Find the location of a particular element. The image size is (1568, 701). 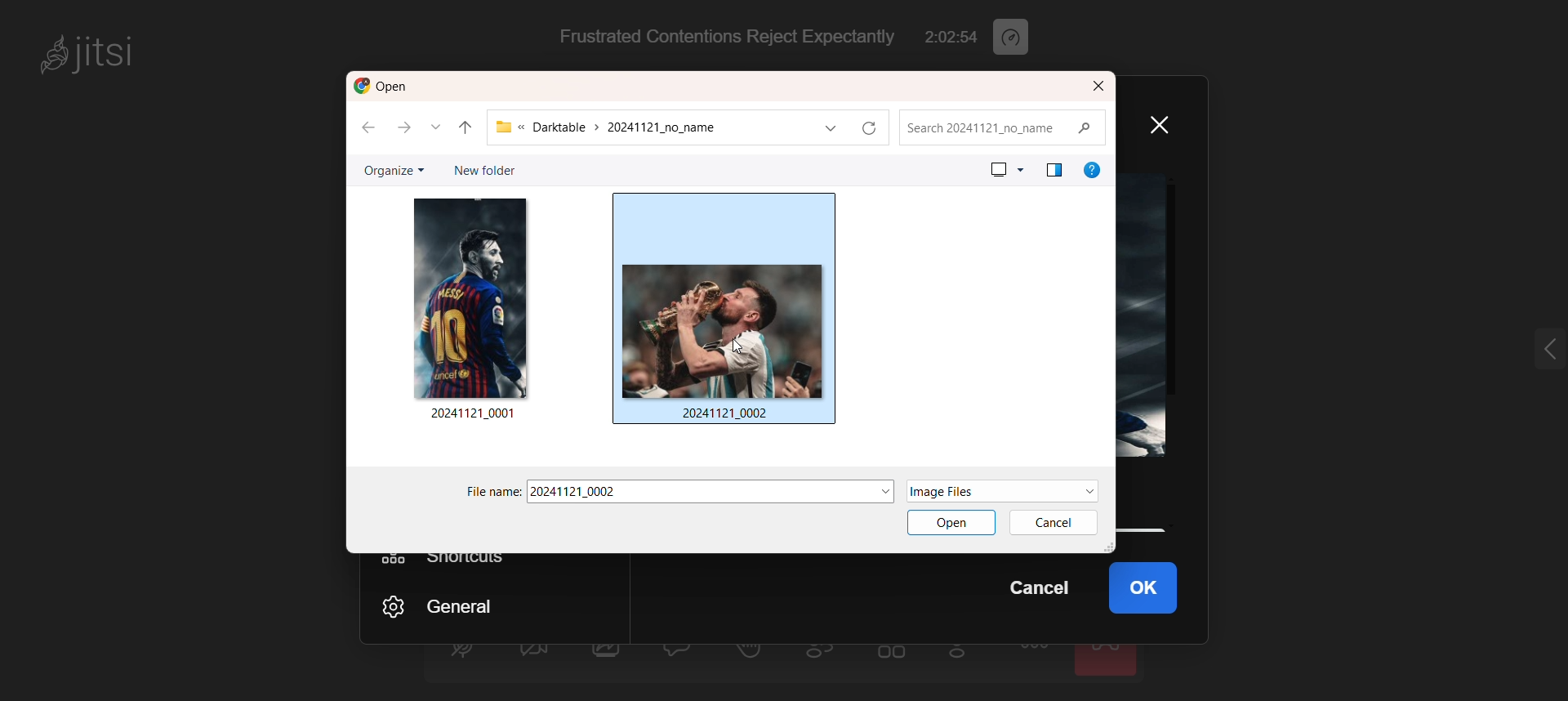

participantd is located at coordinates (827, 656).